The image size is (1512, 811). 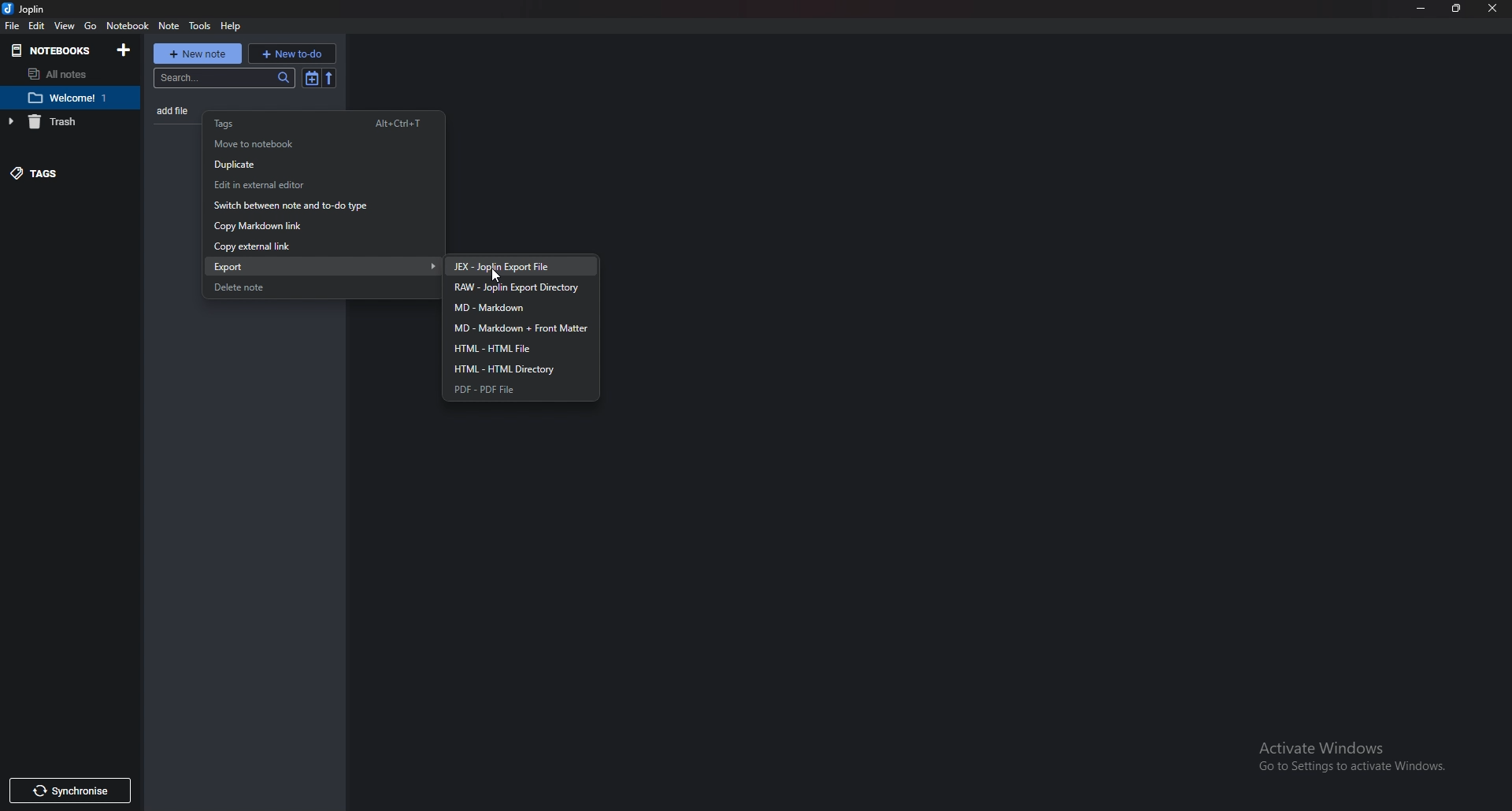 What do you see at coordinates (314, 185) in the screenshot?
I see `Edit in external editor` at bounding box center [314, 185].